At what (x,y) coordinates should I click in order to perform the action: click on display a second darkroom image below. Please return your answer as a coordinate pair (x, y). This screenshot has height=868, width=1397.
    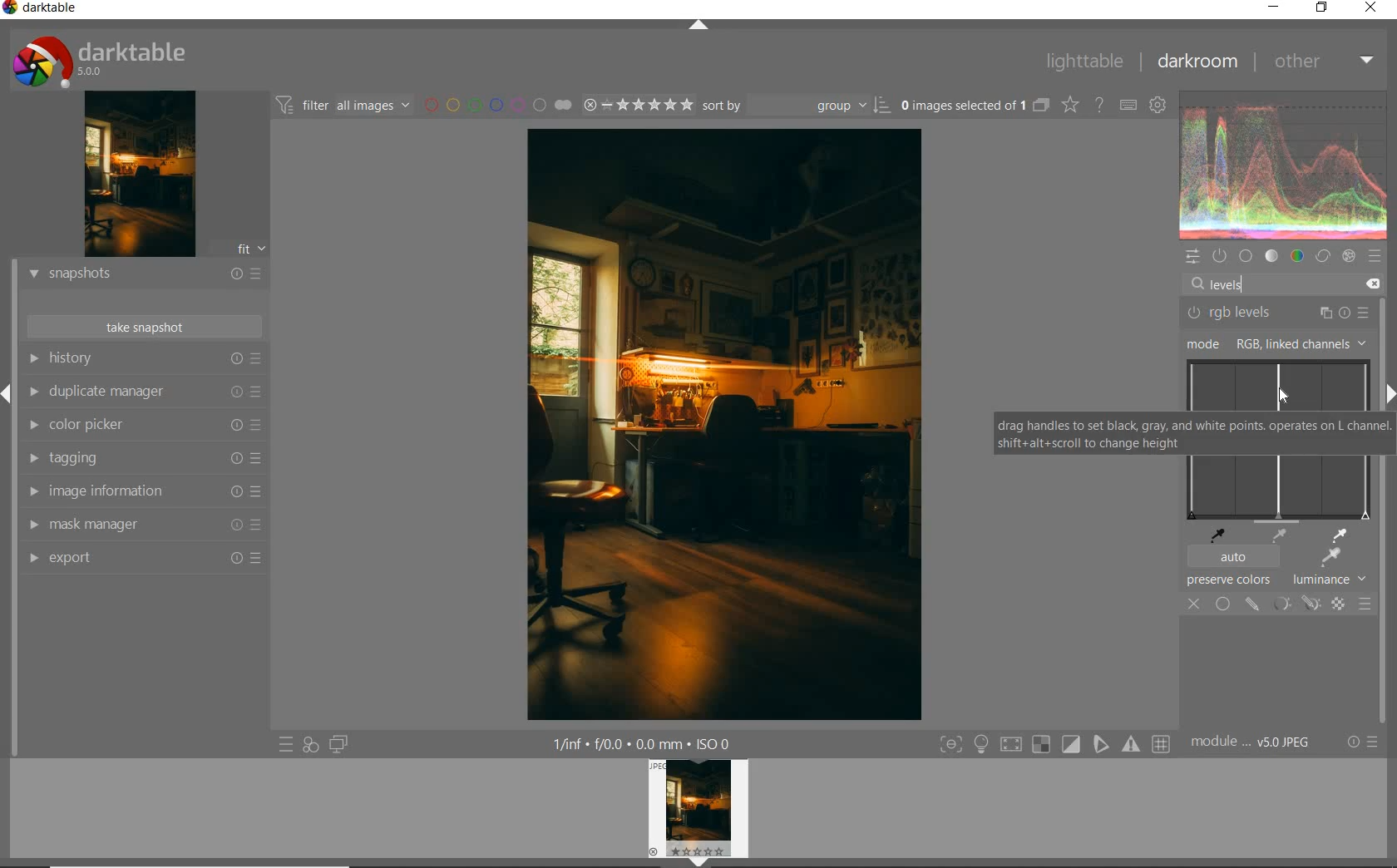
    Looking at the image, I should click on (338, 745).